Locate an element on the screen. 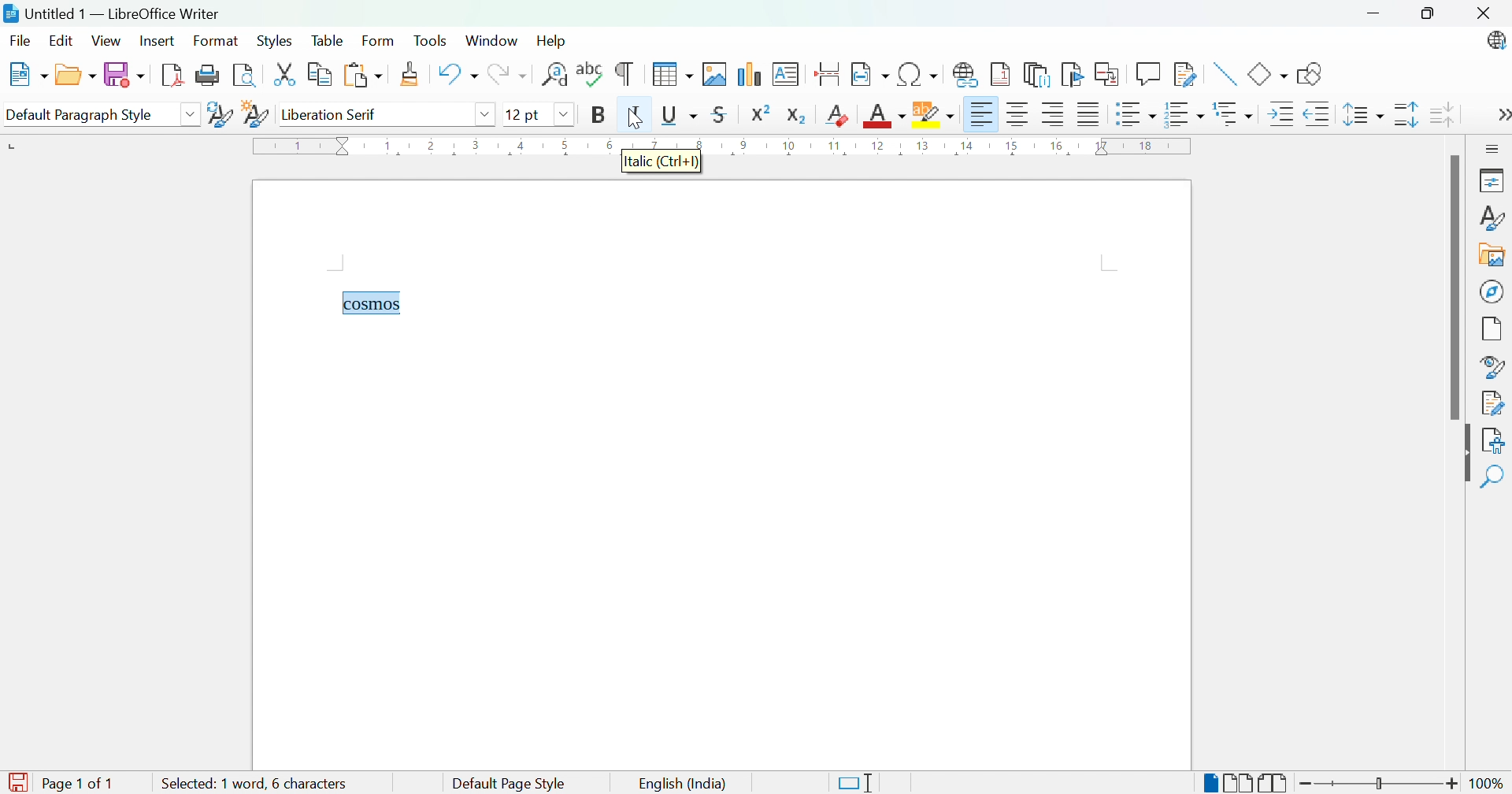 Image resolution: width=1512 pixels, height=794 pixels. Decrease paragraph spacing is located at coordinates (1442, 114).